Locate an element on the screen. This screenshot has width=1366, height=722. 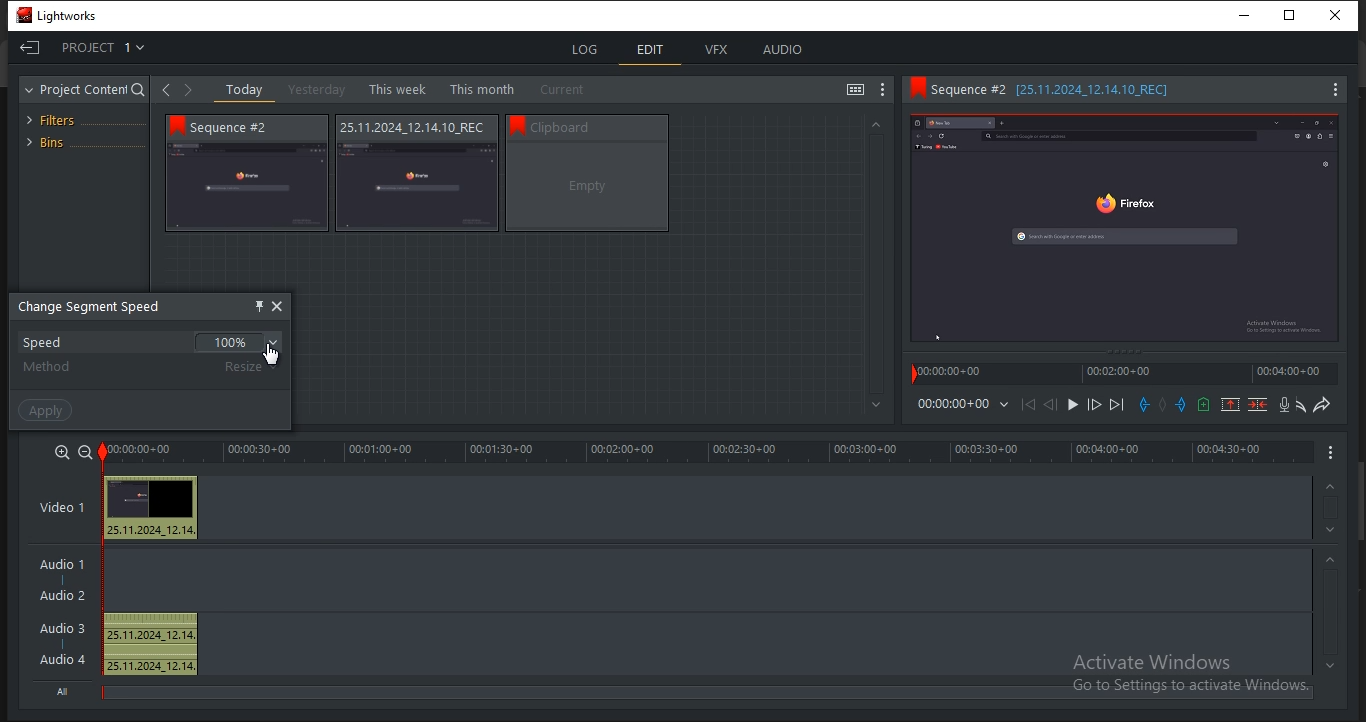
show settings menu is located at coordinates (883, 90).